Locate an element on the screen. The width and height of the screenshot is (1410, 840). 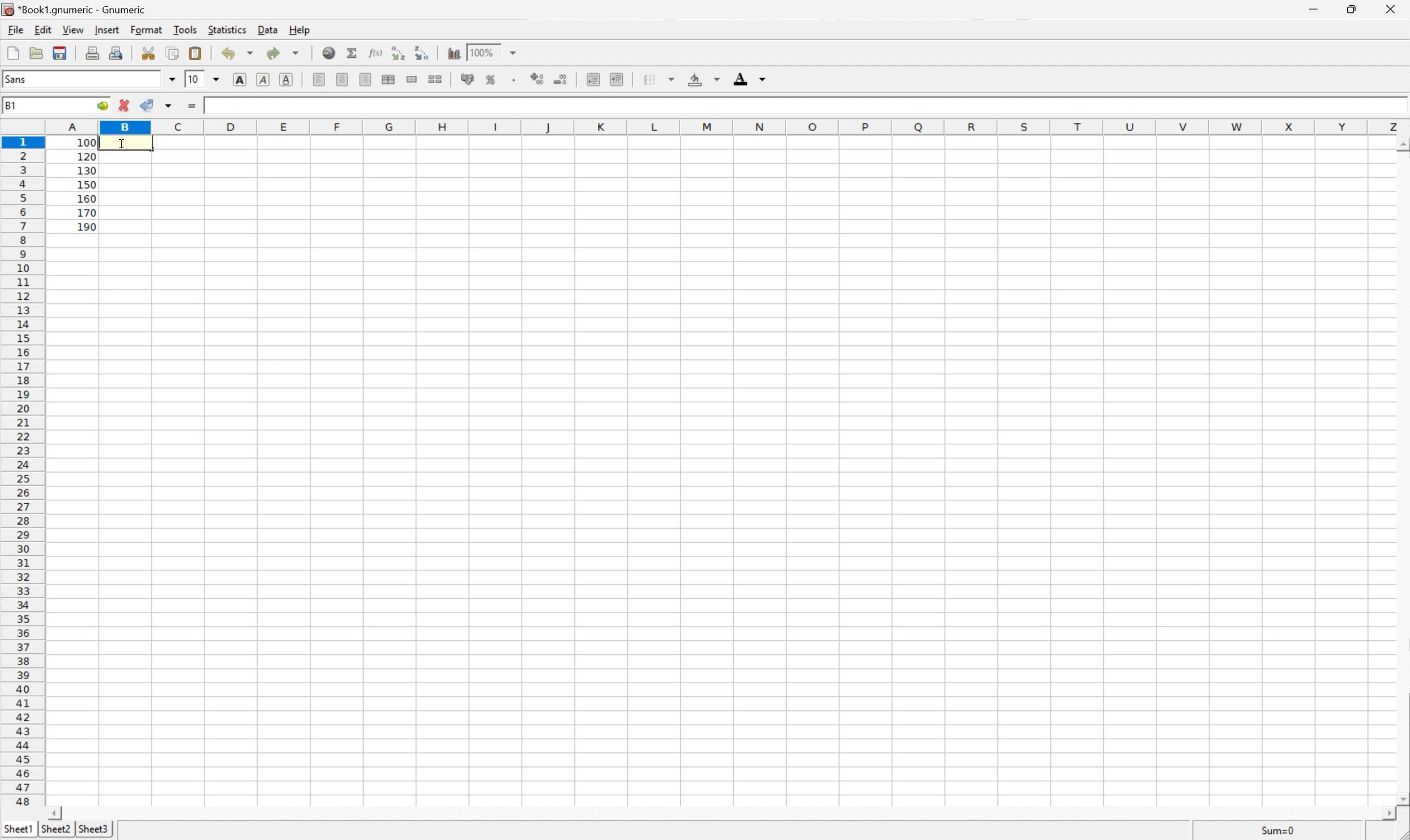
Redo is located at coordinates (280, 53).